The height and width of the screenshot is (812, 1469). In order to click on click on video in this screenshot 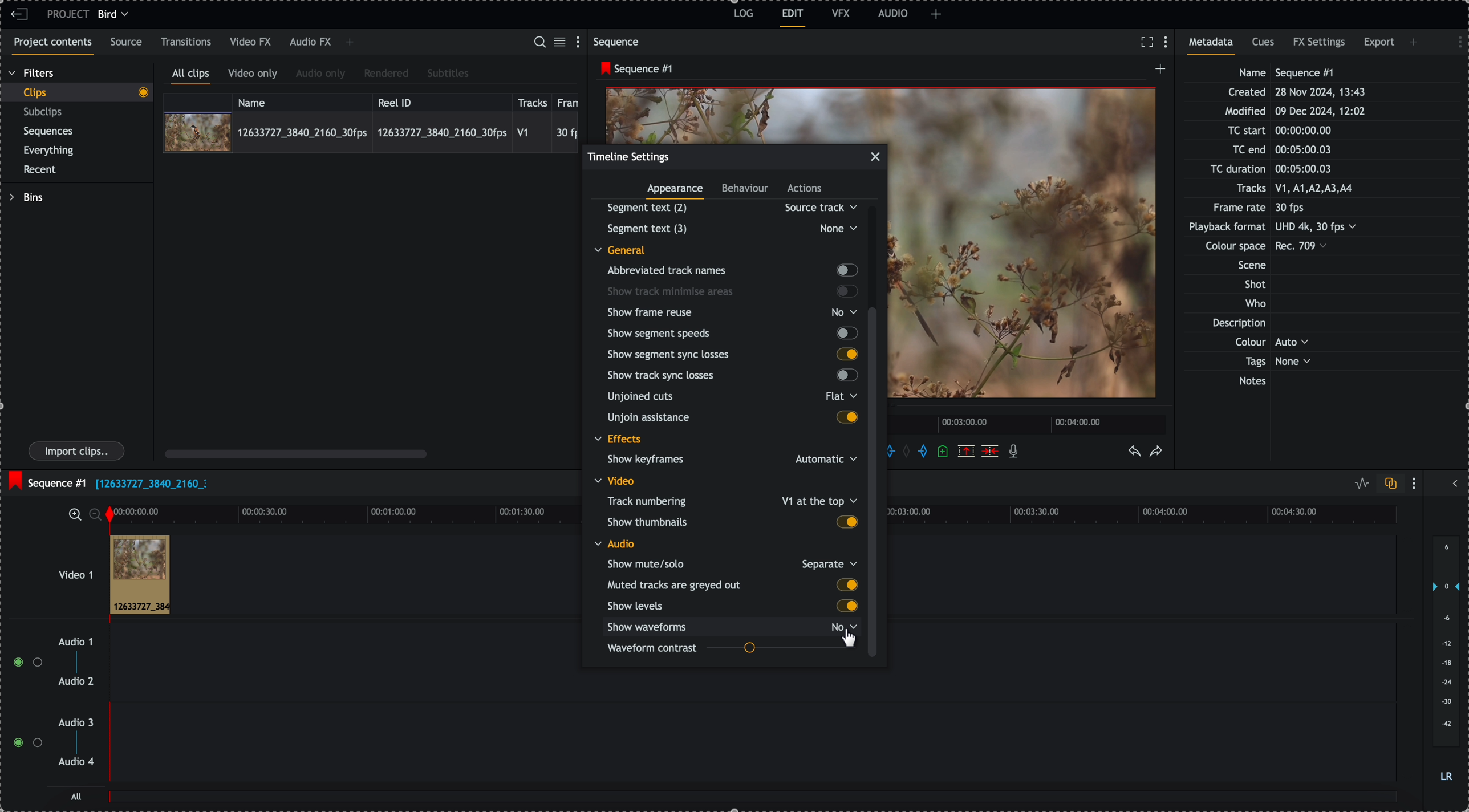, I will do `click(371, 132)`.